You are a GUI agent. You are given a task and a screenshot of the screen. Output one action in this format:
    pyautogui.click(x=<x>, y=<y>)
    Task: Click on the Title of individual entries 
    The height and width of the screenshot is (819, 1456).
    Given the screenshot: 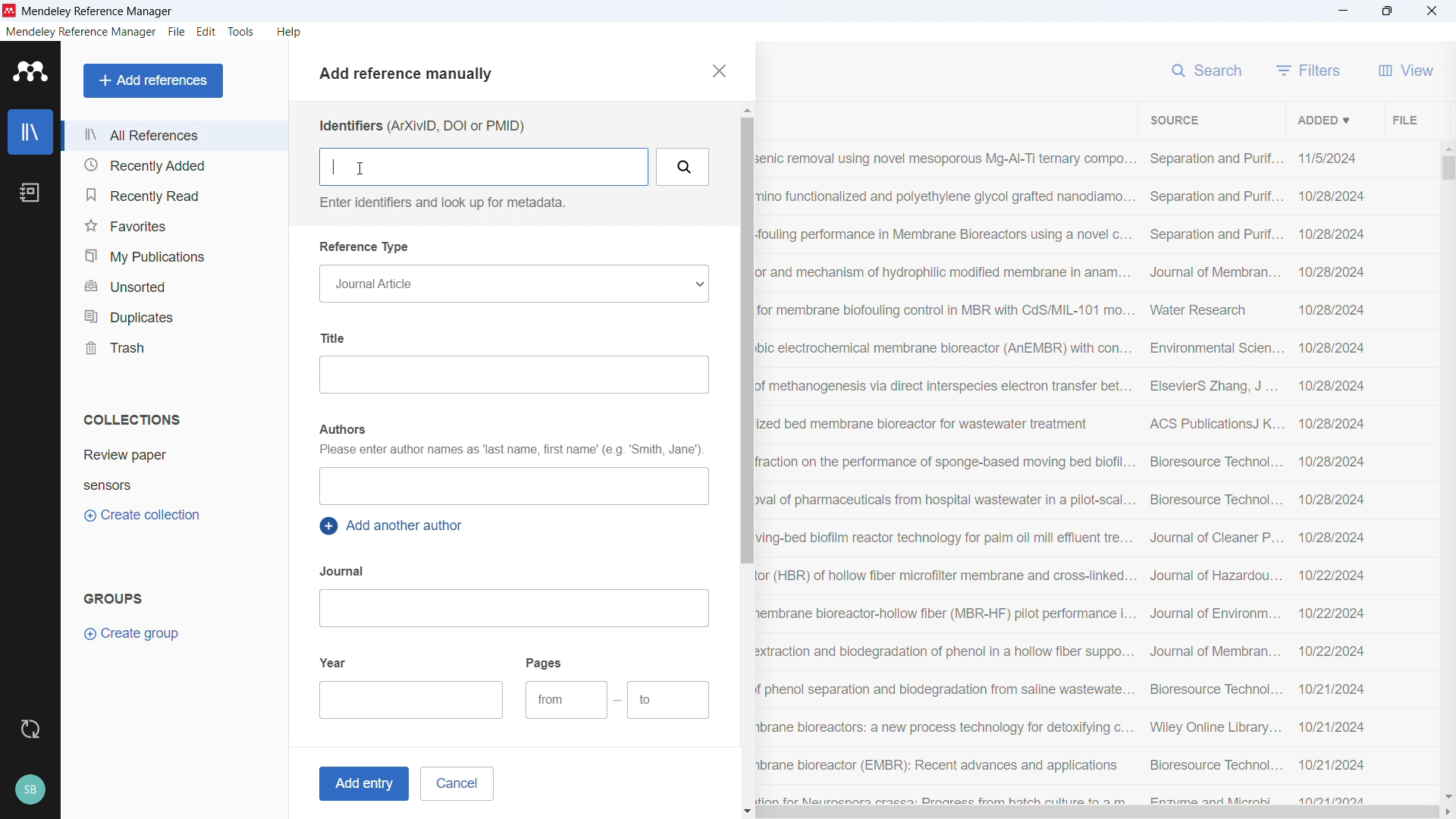 What is the action you would take?
    pyautogui.click(x=946, y=475)
    